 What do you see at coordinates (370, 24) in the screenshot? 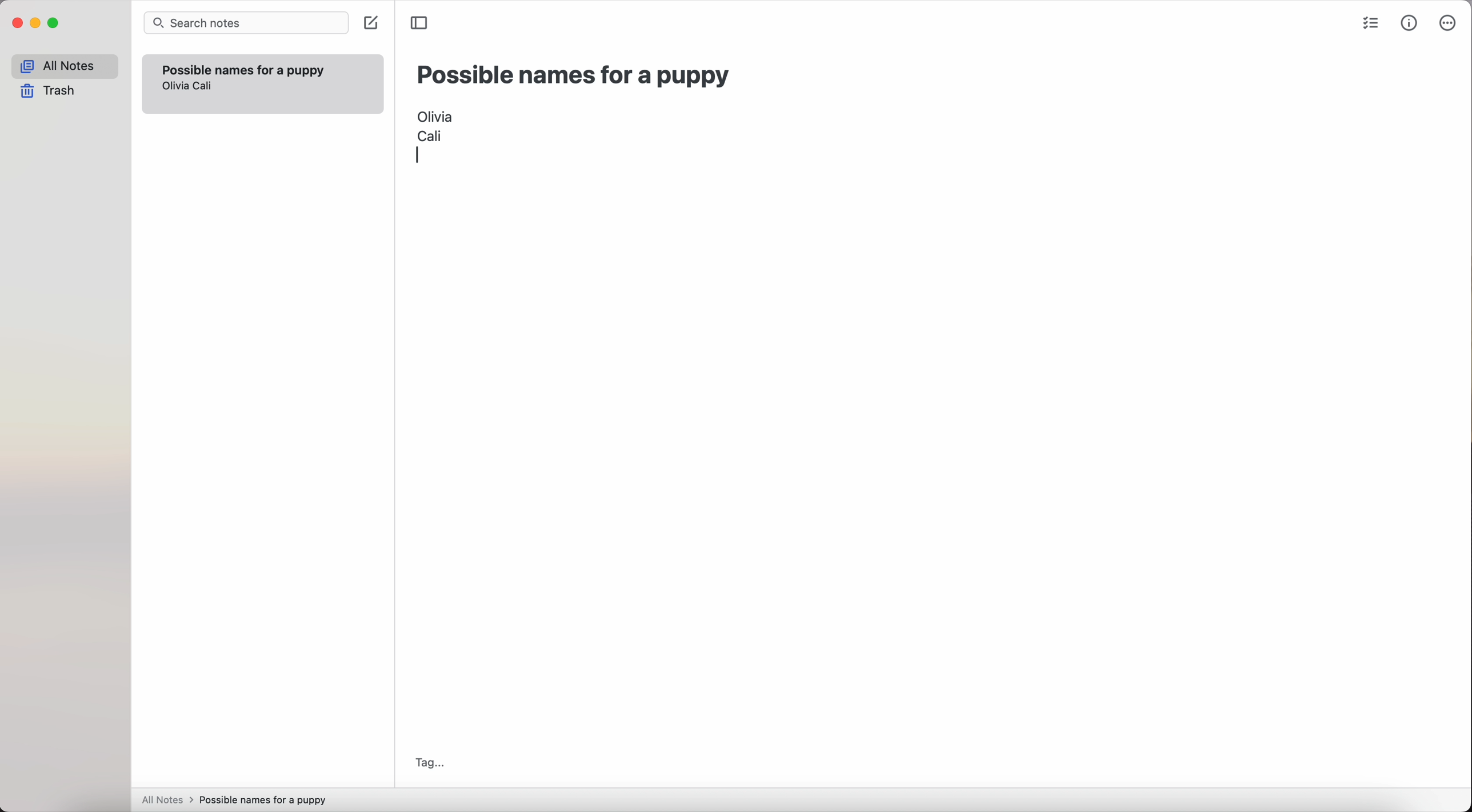
I see `create note` at bounding box center [370, 24].